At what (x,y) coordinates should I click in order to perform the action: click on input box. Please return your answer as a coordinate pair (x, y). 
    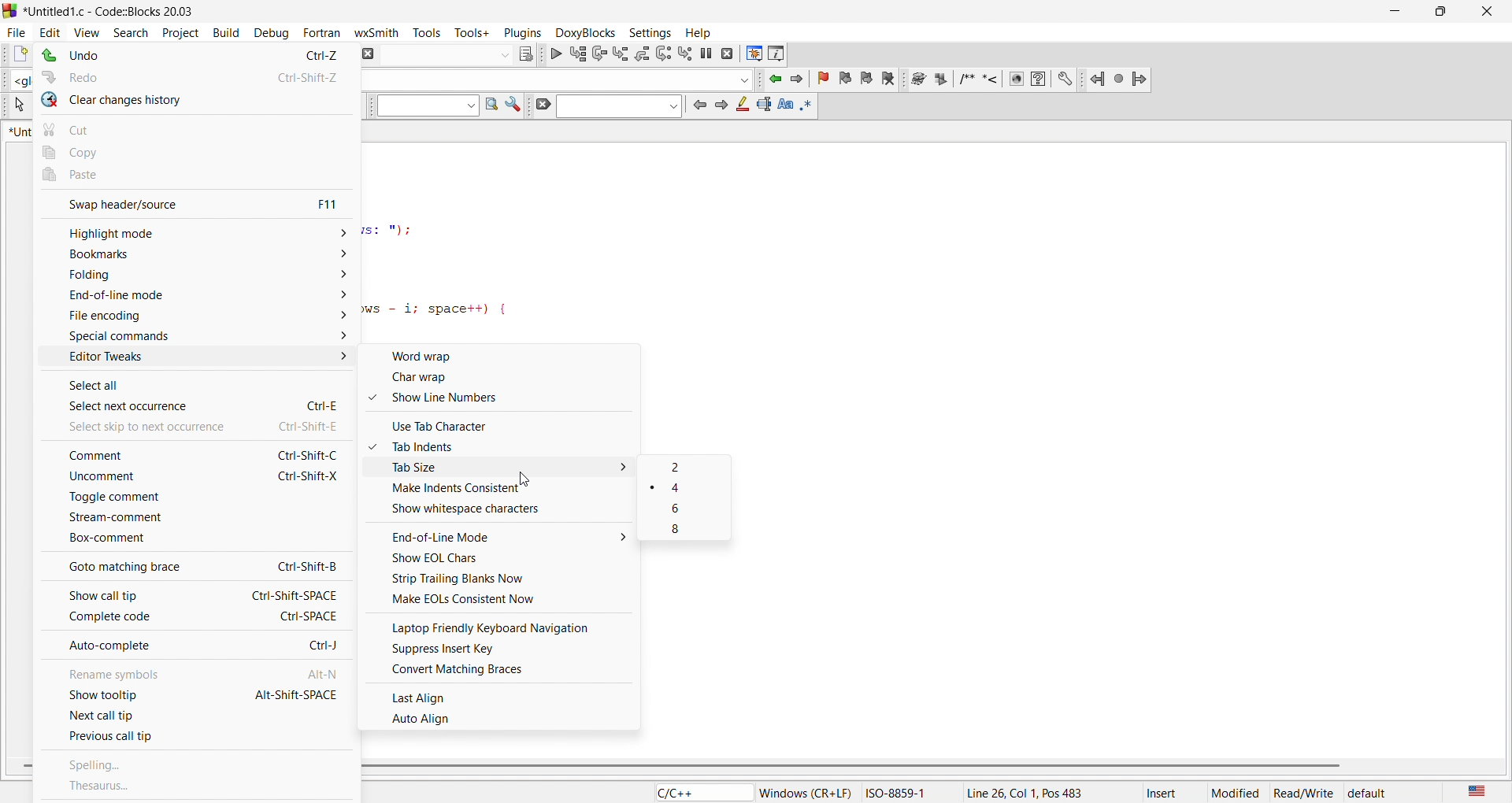
    Looking at the image, I should click on (422, 109).